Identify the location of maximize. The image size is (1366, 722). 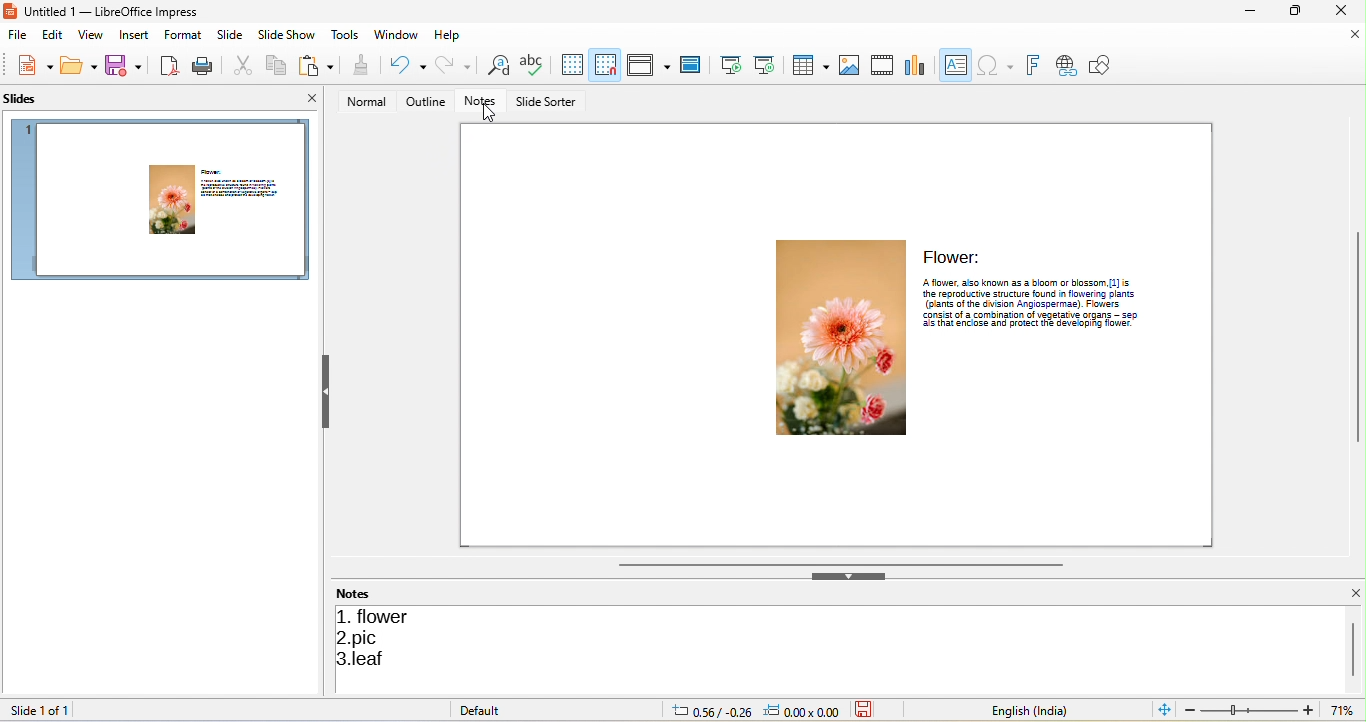
(1299, 11).